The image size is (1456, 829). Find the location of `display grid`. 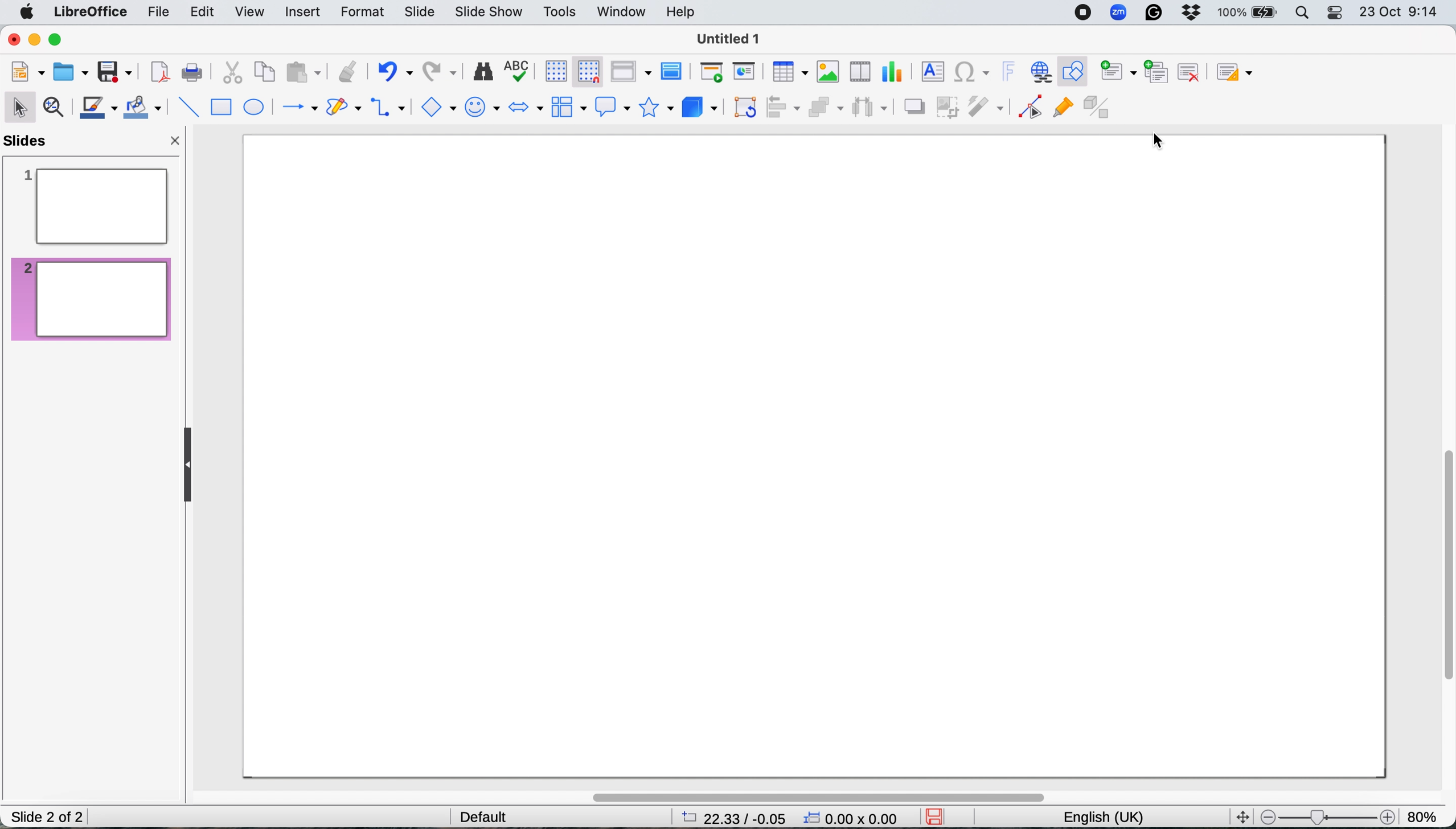

display grid is located at coordinates (553, 73).